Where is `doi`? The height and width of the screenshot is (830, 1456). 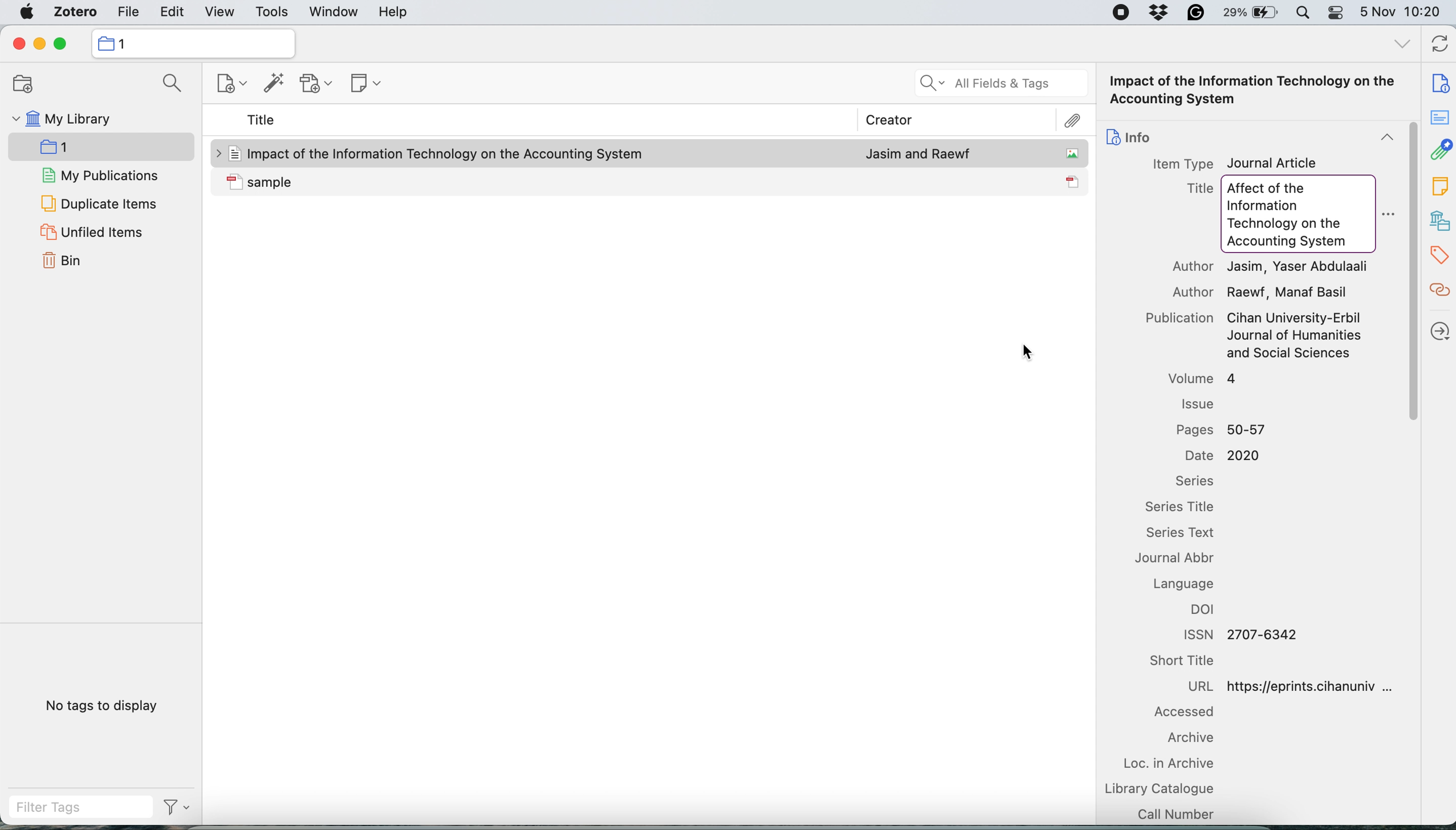 doi is located at coordinates (1205, 609).